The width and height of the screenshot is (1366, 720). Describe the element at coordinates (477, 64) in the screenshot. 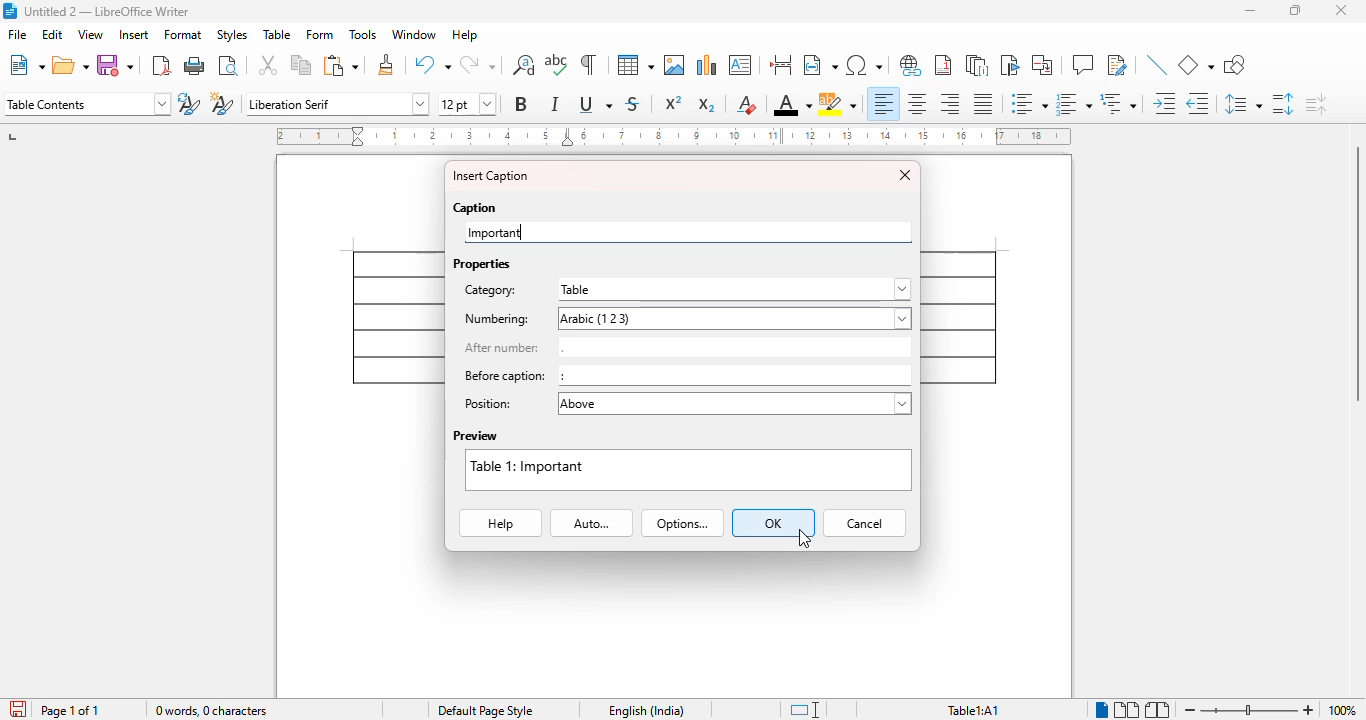

I see `redo` at that location.